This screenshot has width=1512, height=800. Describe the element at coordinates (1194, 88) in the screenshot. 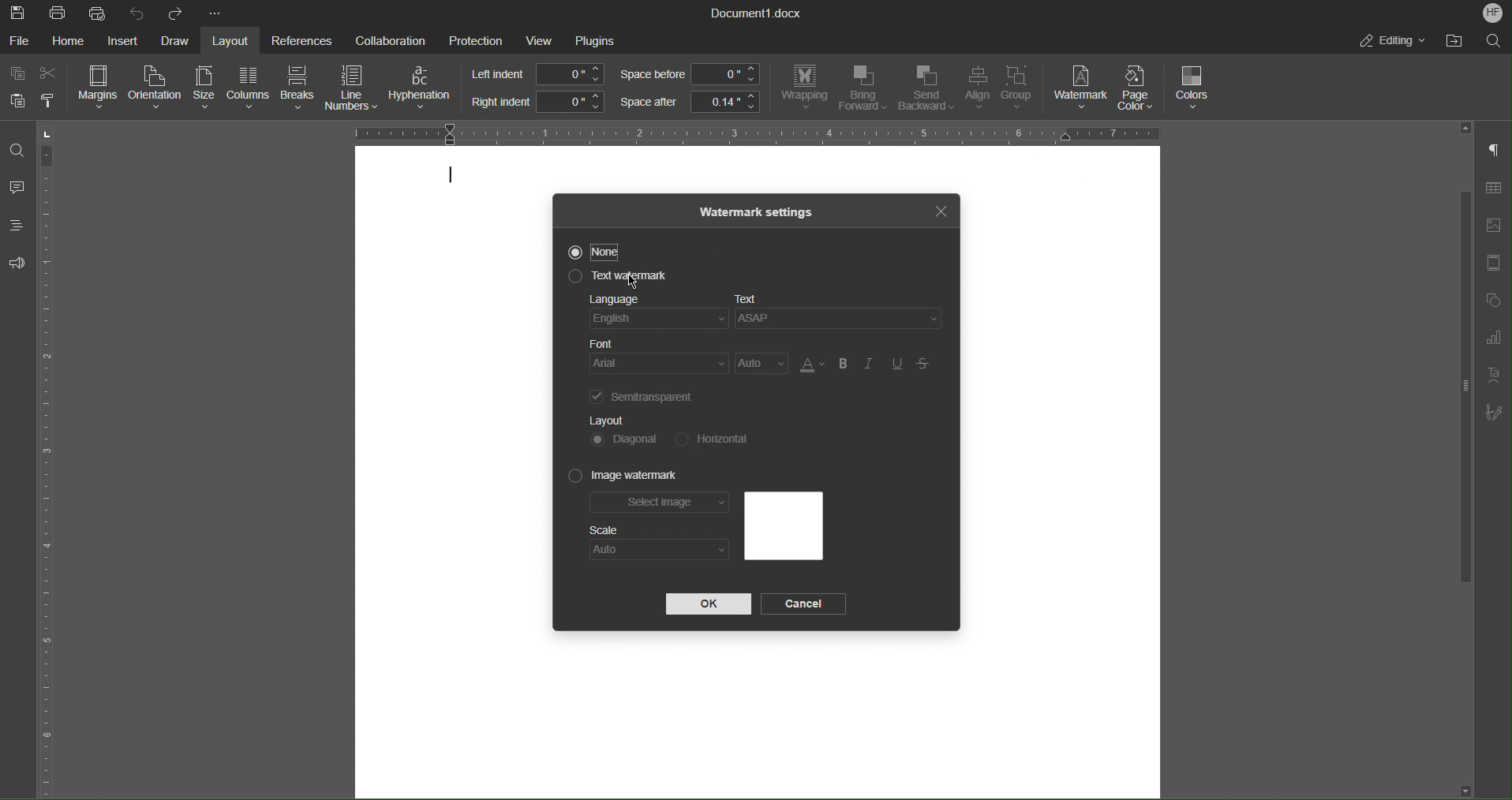

I see `Colors` at that location.